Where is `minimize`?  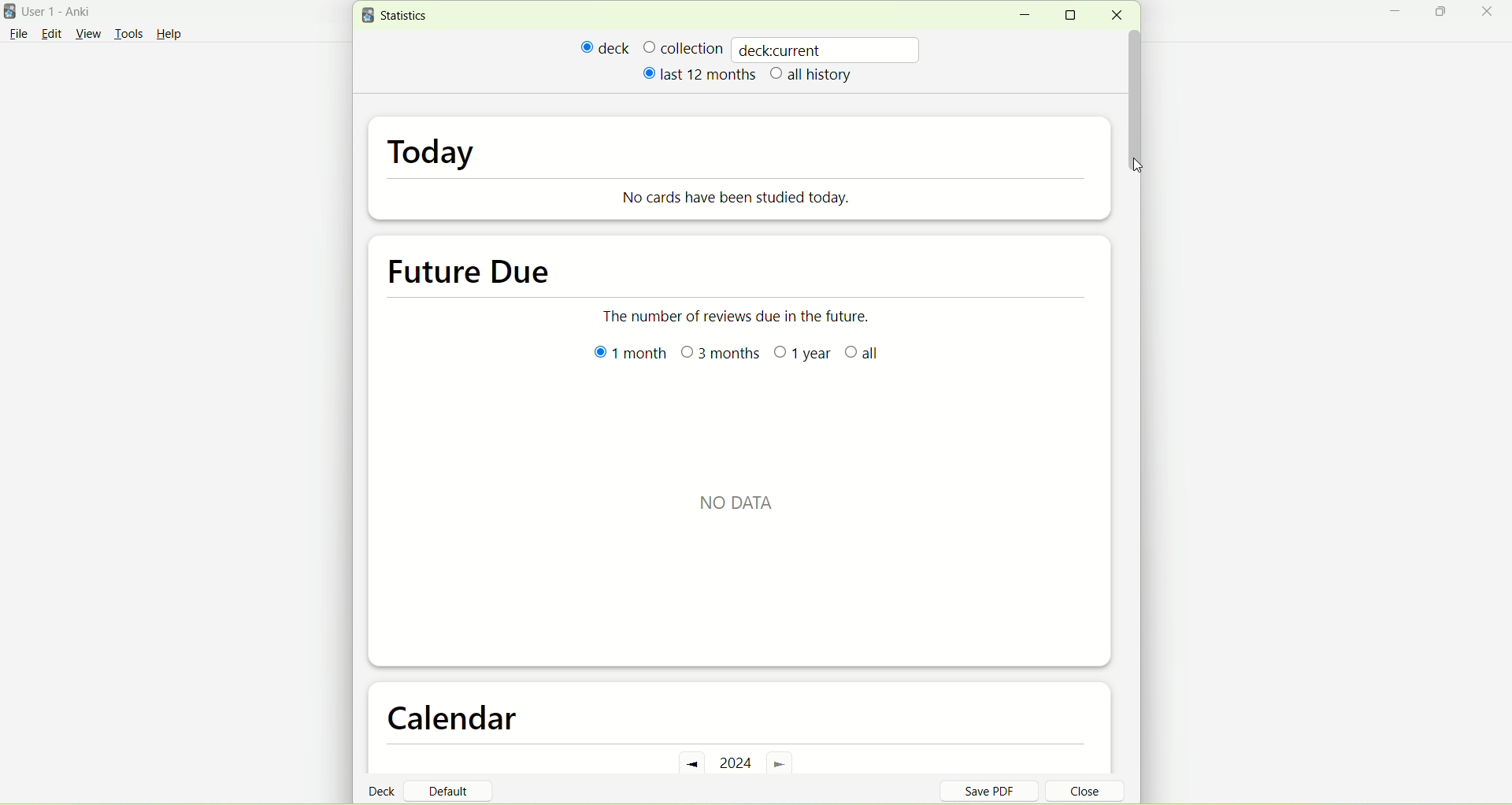
minimize is located at coordinates (1024, 16).